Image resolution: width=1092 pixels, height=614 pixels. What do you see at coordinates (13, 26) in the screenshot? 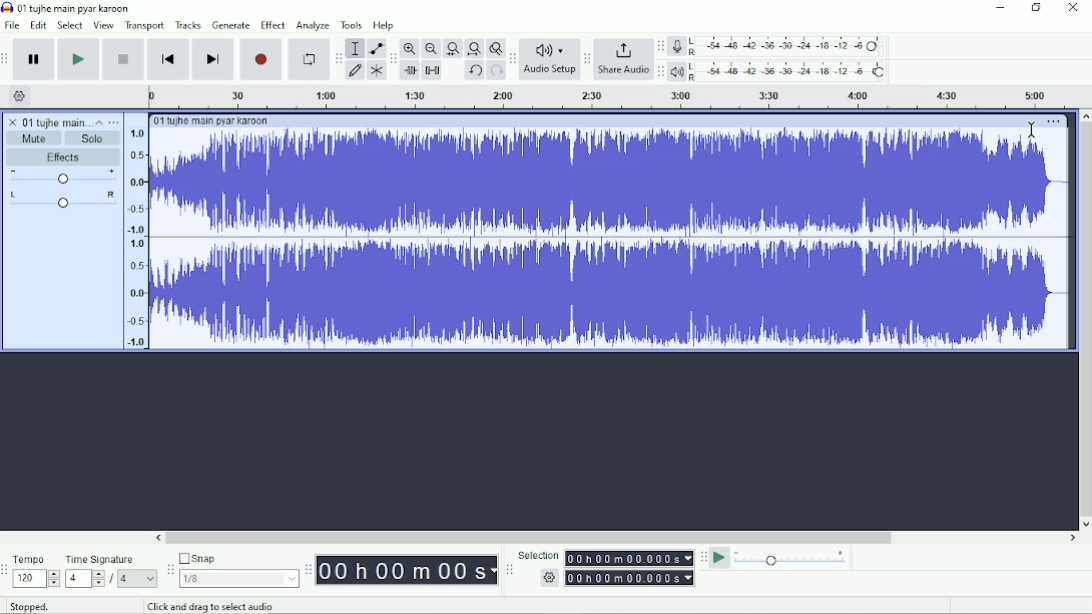
I see `File` at bounding box center [13, 26].